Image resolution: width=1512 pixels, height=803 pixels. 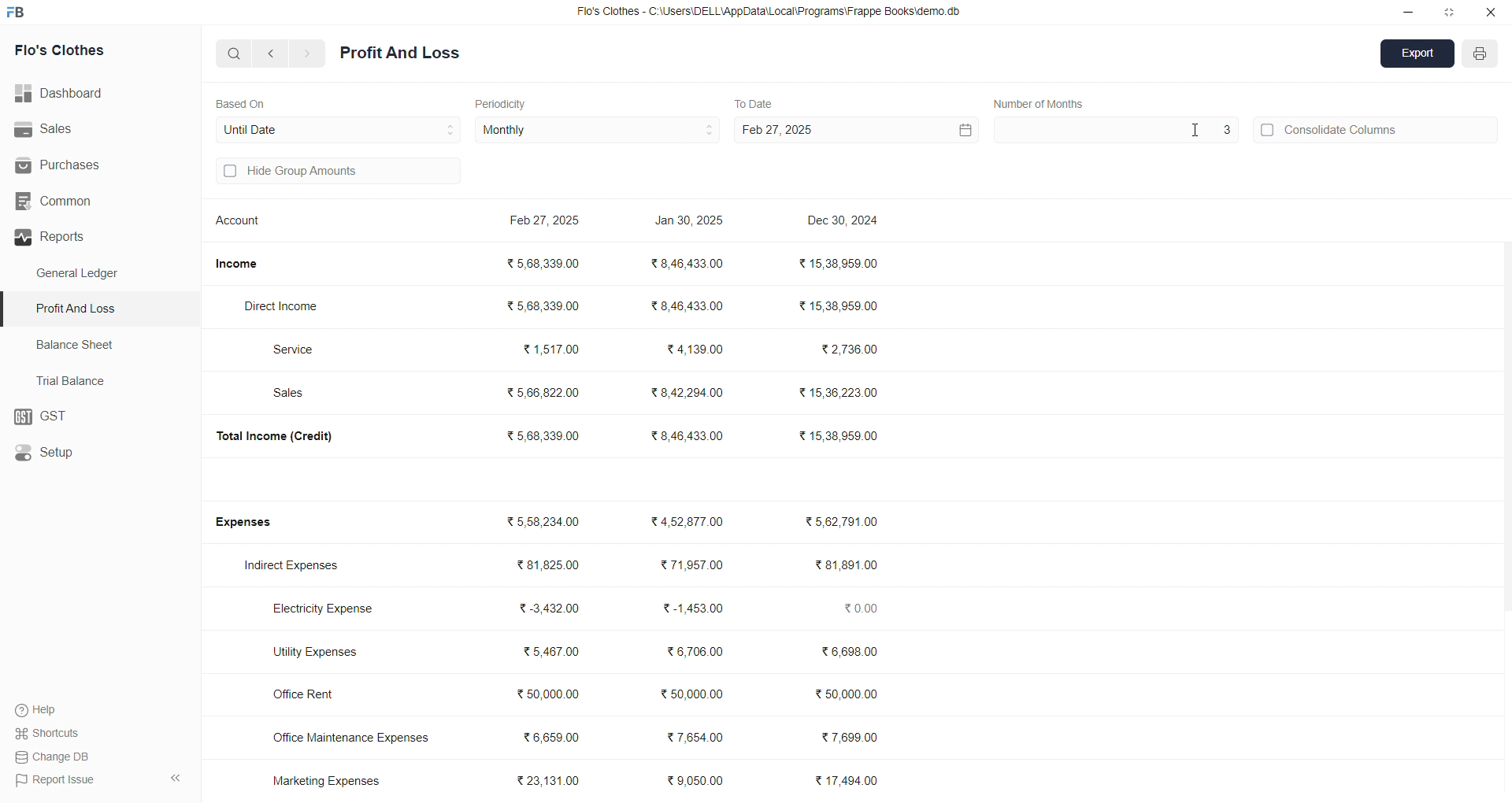 I want to click on ₹ 71,957.00, so click(x=691, y=565).